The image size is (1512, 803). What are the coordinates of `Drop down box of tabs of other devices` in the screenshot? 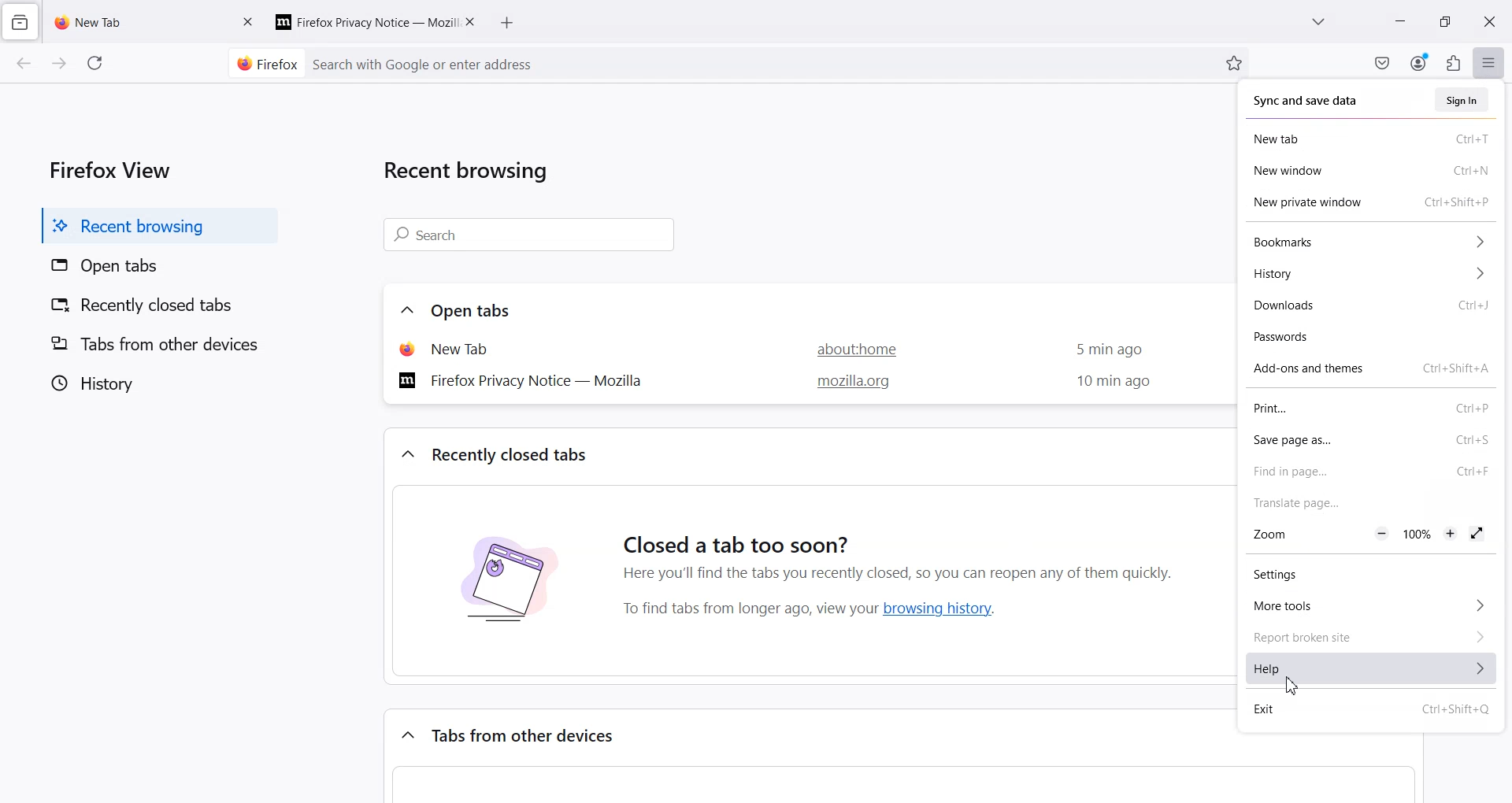 It's located at (405, 732).